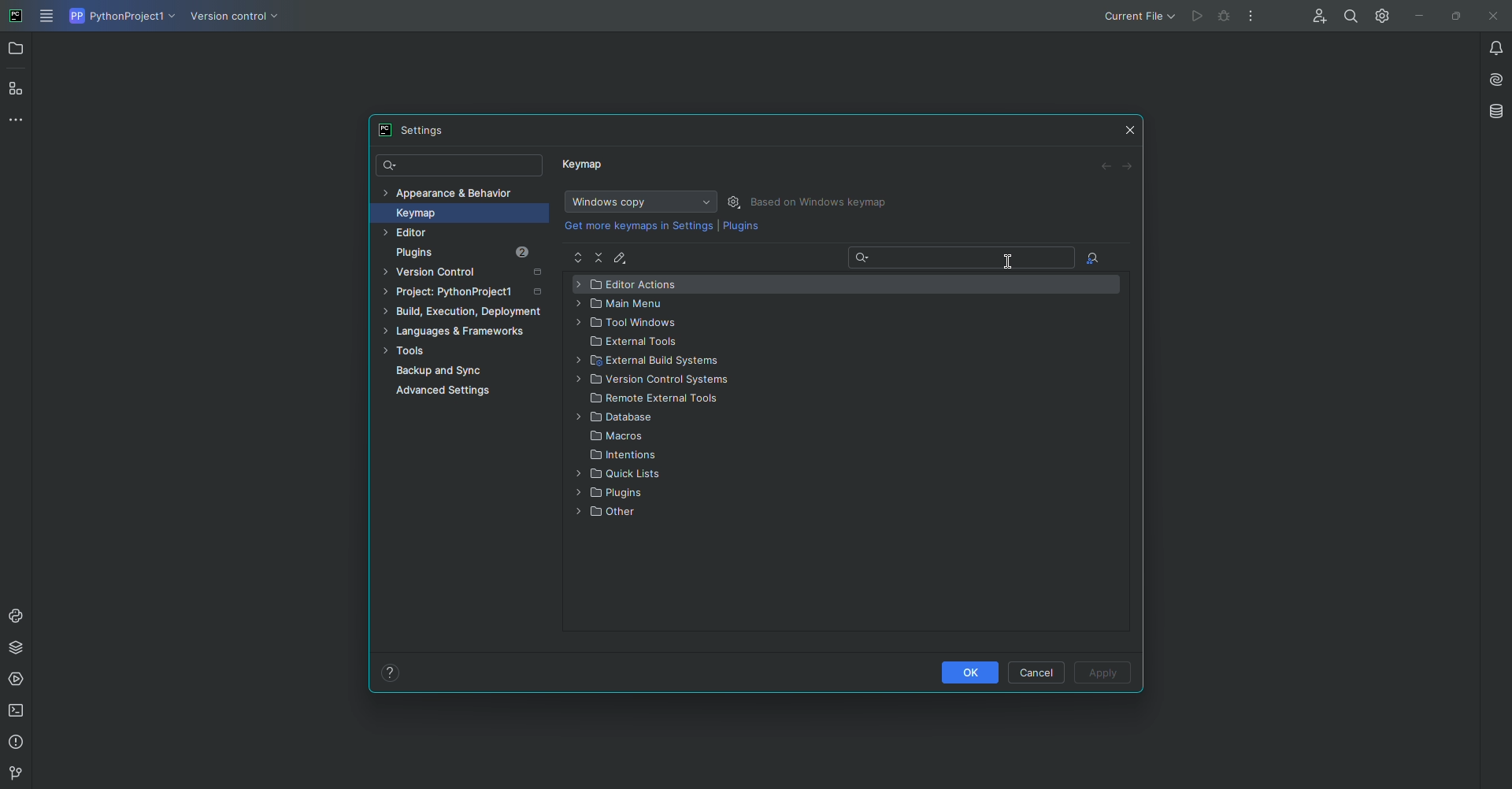  What do you see at coordinates (629, 324) in the screenshot?
I see `Tool Windows` at bounding box center [629, 324].